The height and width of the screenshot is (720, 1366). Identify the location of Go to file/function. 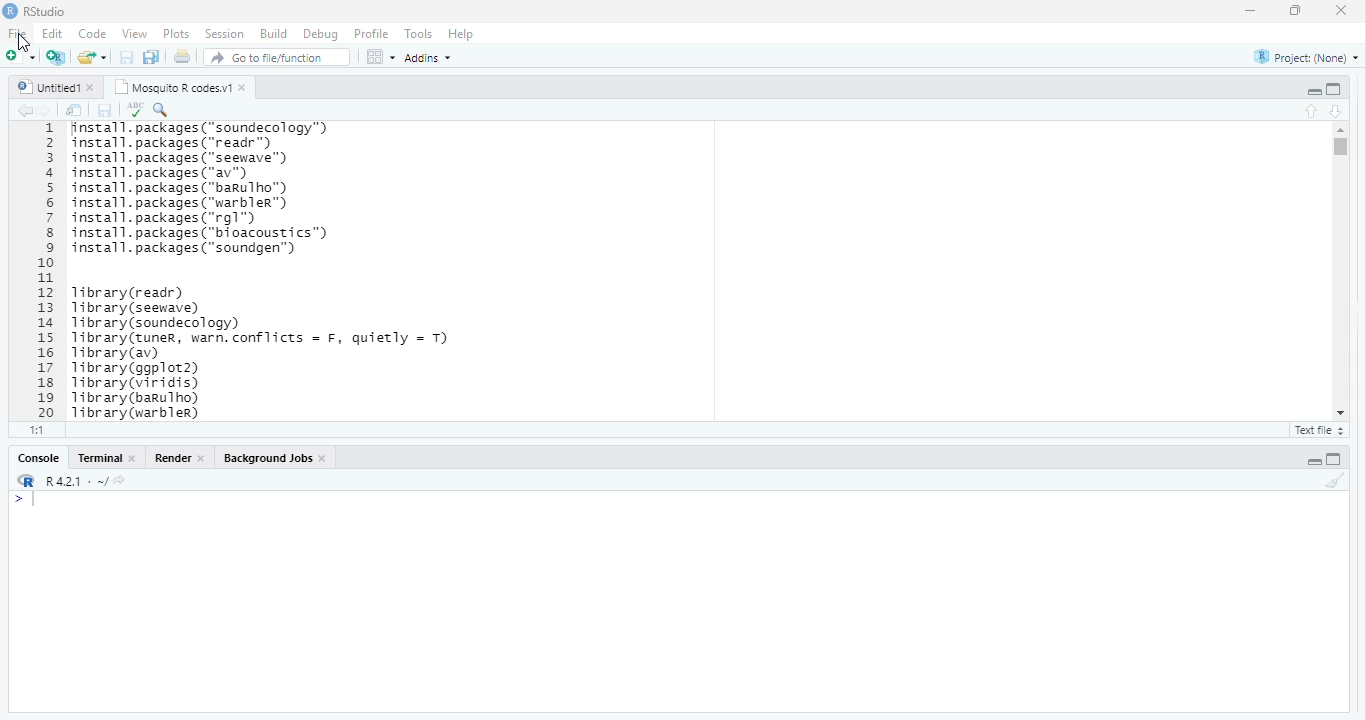
(278, 57).